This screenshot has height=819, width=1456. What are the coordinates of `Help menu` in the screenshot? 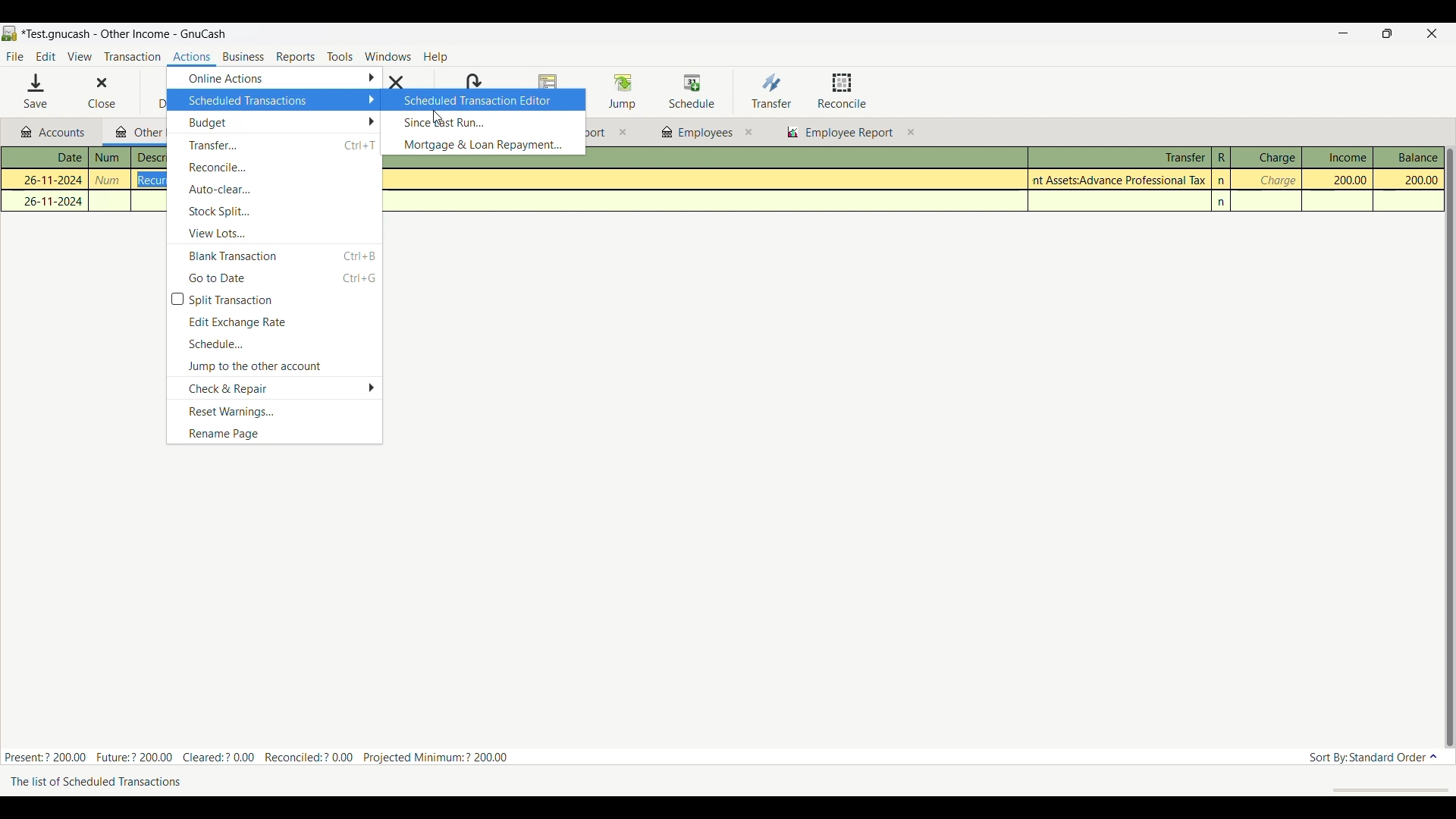 It's located at (436, 58).